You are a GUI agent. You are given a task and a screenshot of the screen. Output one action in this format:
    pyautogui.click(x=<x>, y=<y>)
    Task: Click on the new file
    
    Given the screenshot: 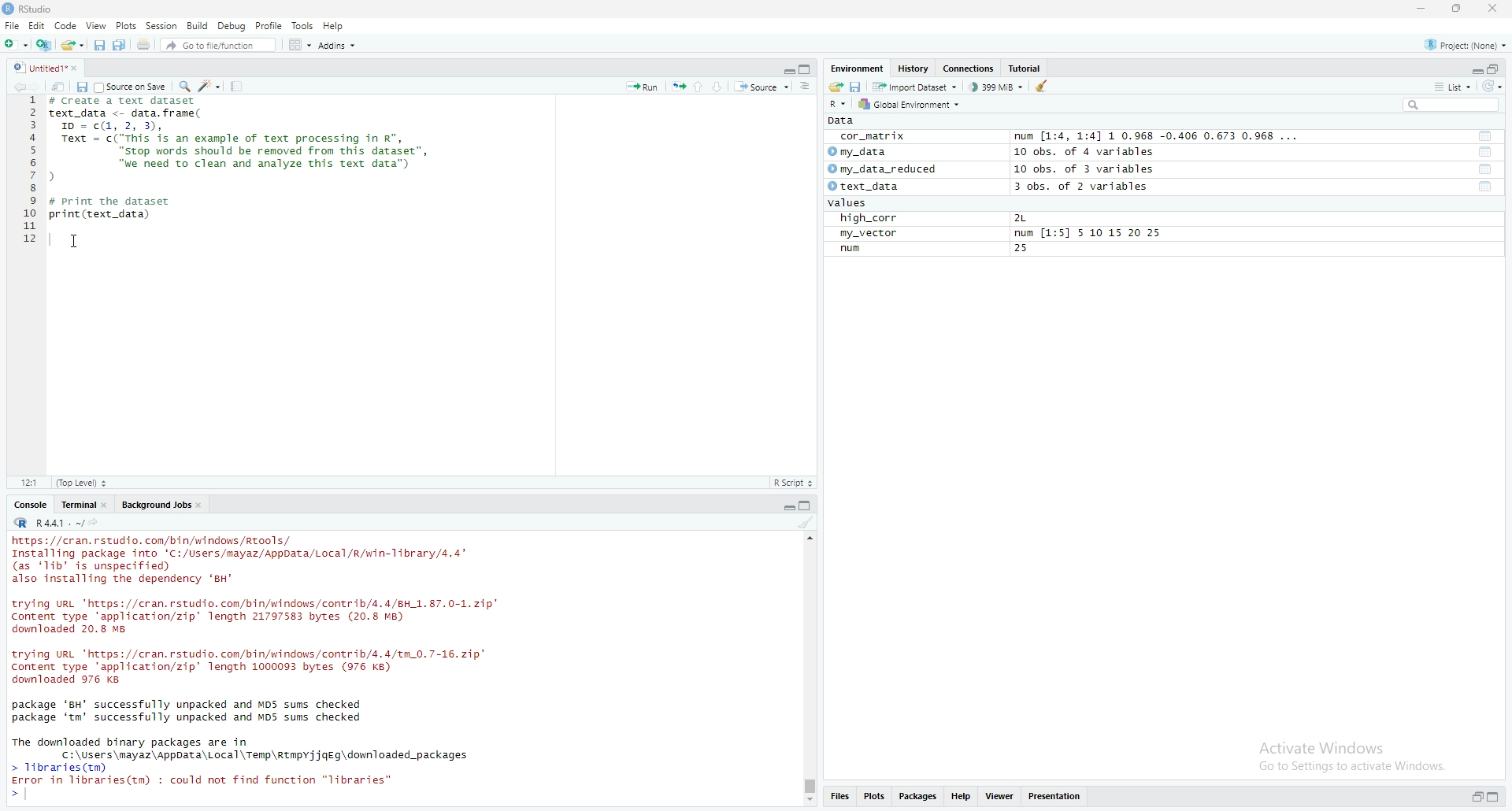 What is the action you would take?
    pyautogui.click(x=15, y=45)
    